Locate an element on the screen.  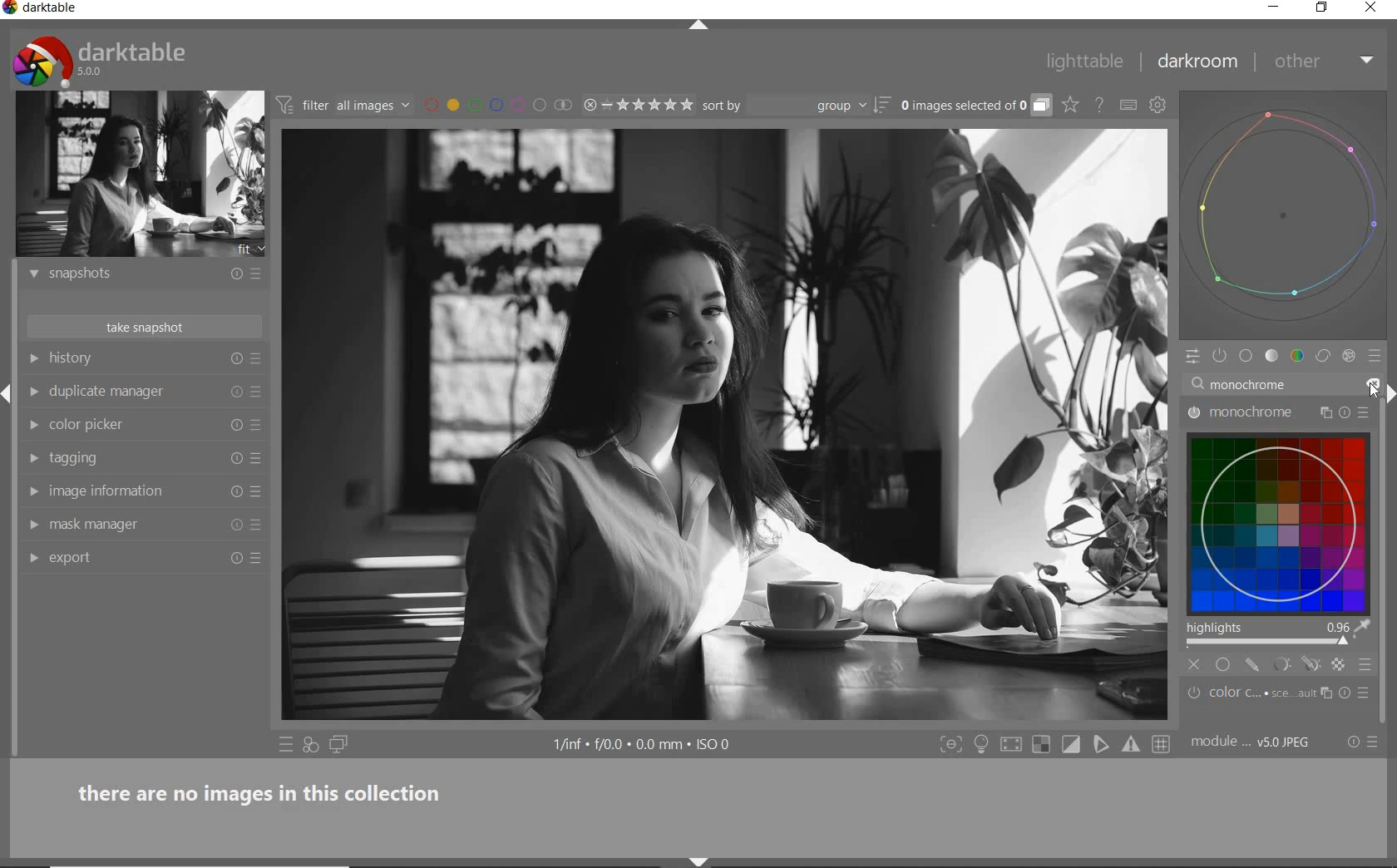
preset and preferences is located at coordinates (1364, 416).